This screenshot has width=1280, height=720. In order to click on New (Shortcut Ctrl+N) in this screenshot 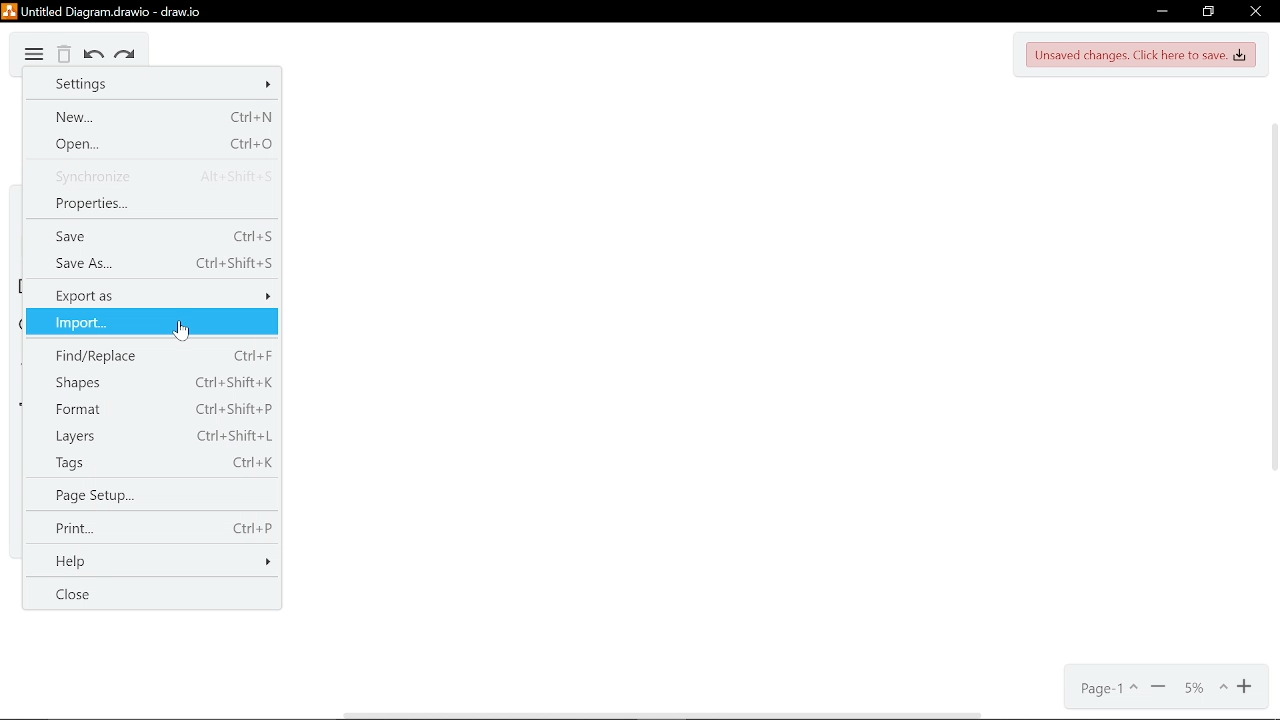, I will do `click(155, 115)`.